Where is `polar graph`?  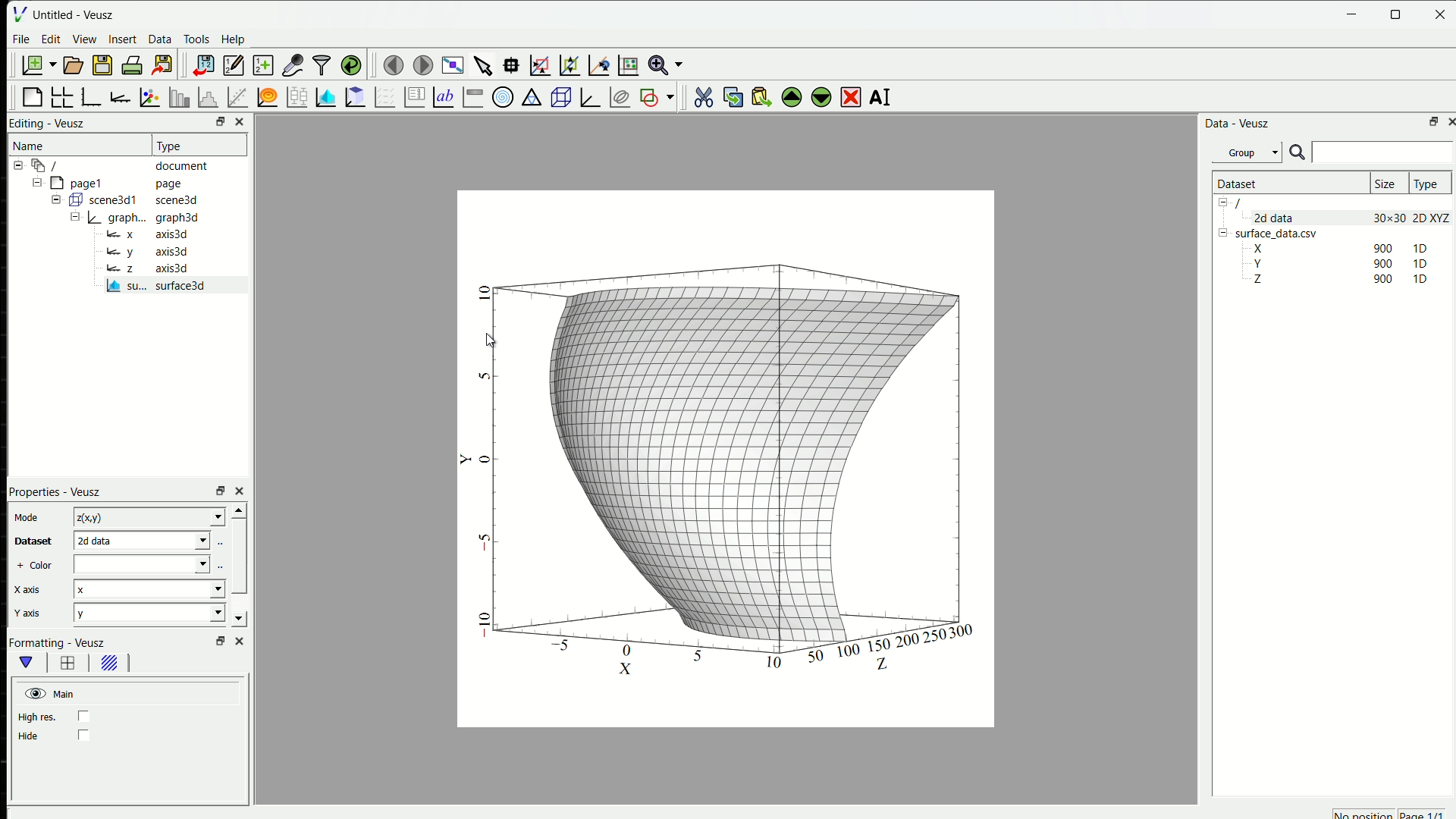 polar graph is located at coordinates (504, 96).